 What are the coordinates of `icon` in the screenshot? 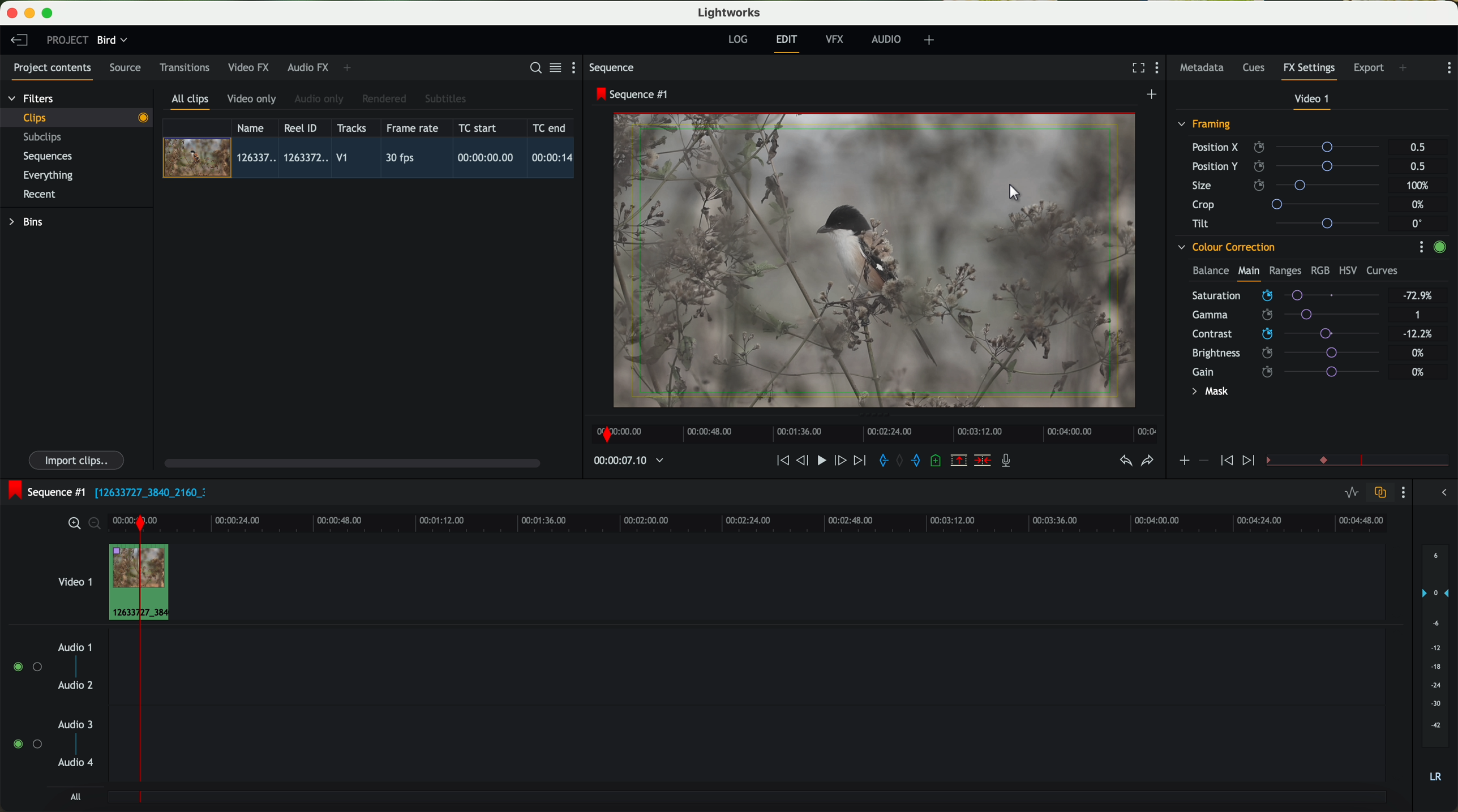 It's located at (1183, 462).